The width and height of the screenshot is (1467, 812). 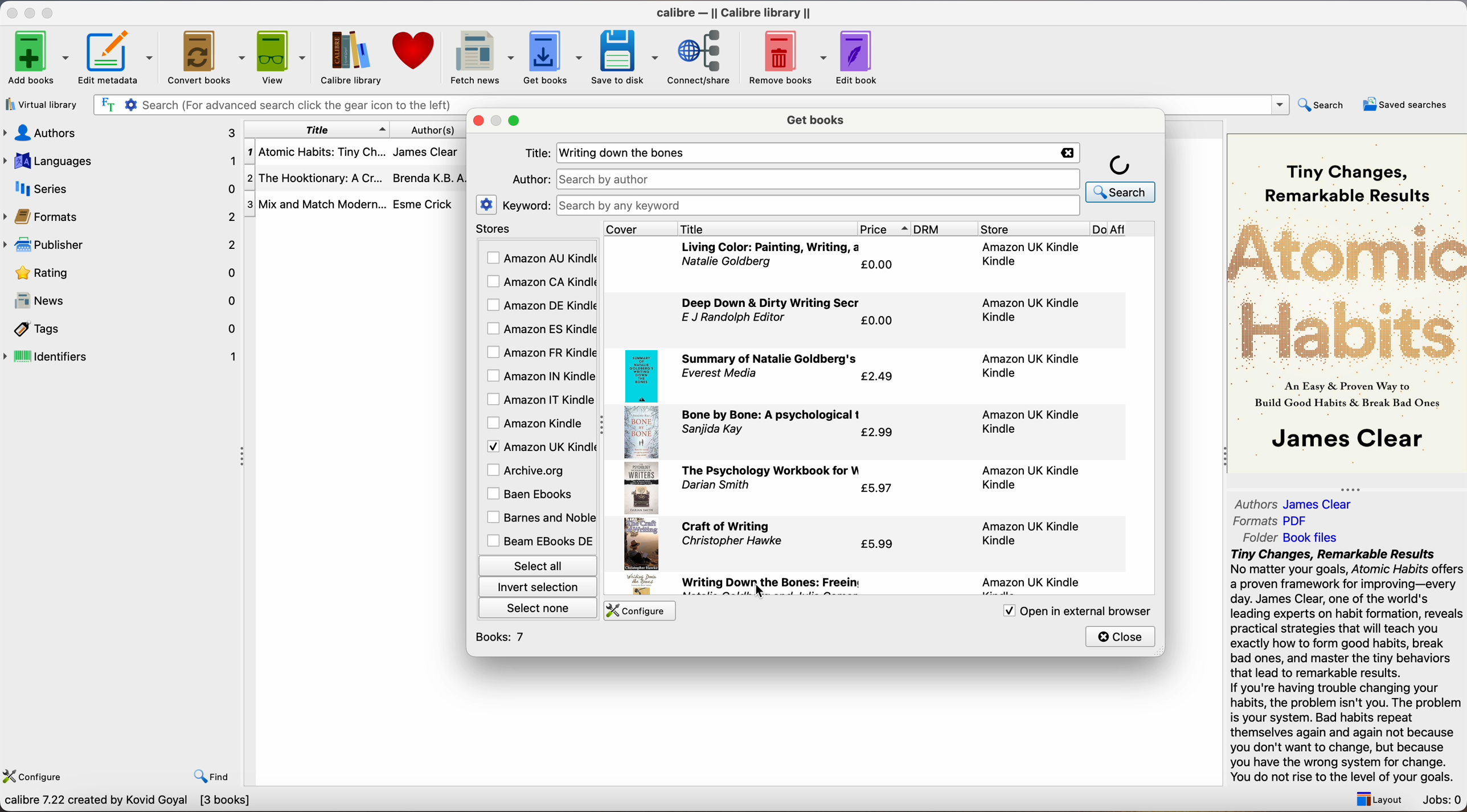 What do you see at coordinates (730, 540) in the screenshot?
I see `Christopher Hawke` at bounding box center [730, 540].